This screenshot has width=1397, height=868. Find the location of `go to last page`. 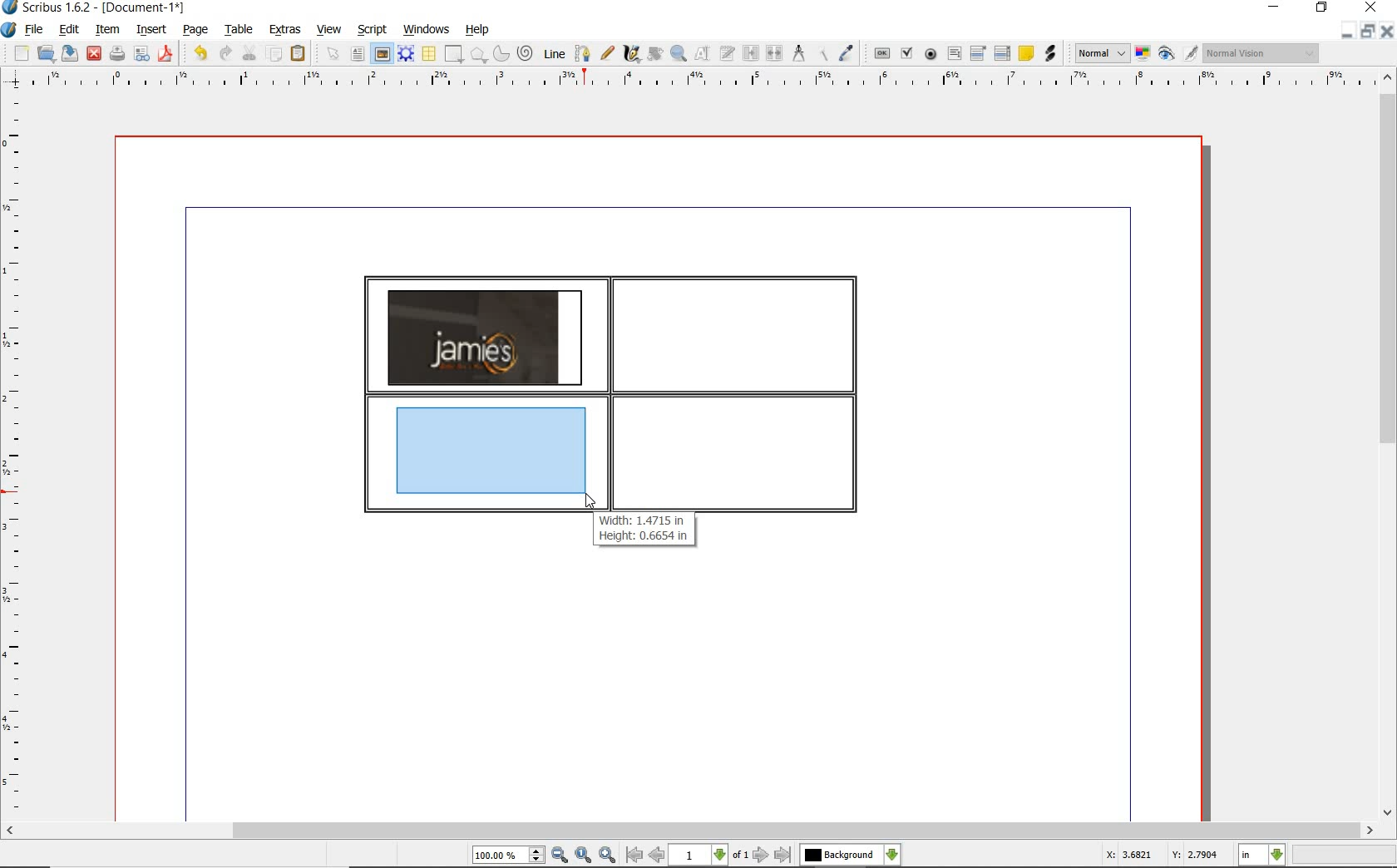

go to last page is located at coordinates (784, 855).